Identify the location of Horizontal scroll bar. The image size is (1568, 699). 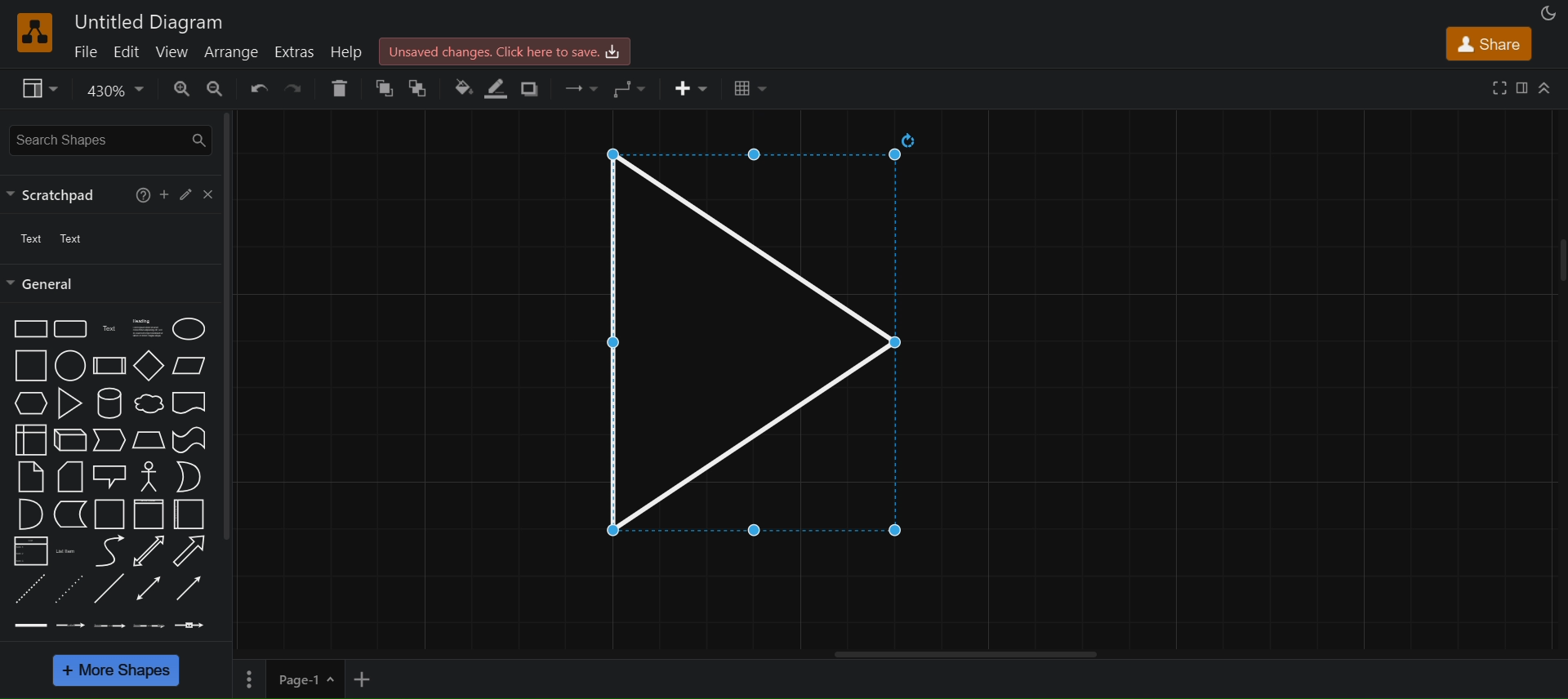
(966, 654).